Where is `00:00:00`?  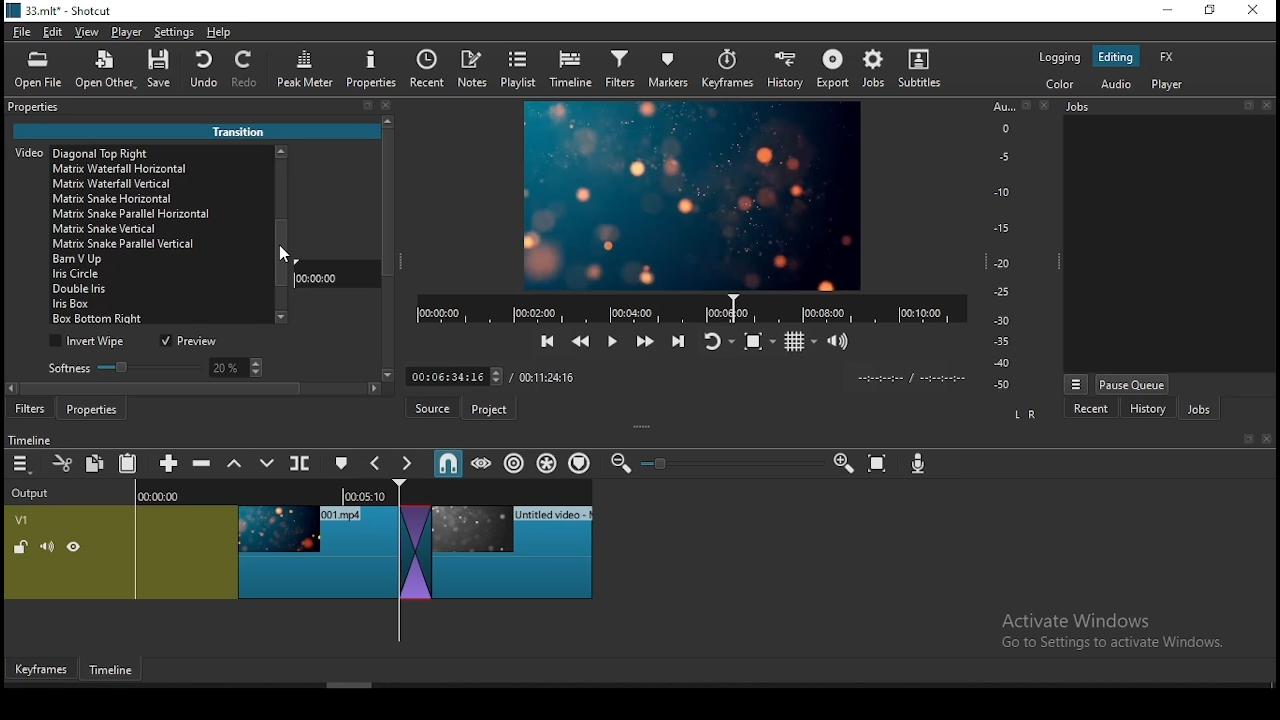
00:00:00 is located at coordinates (321, 277).